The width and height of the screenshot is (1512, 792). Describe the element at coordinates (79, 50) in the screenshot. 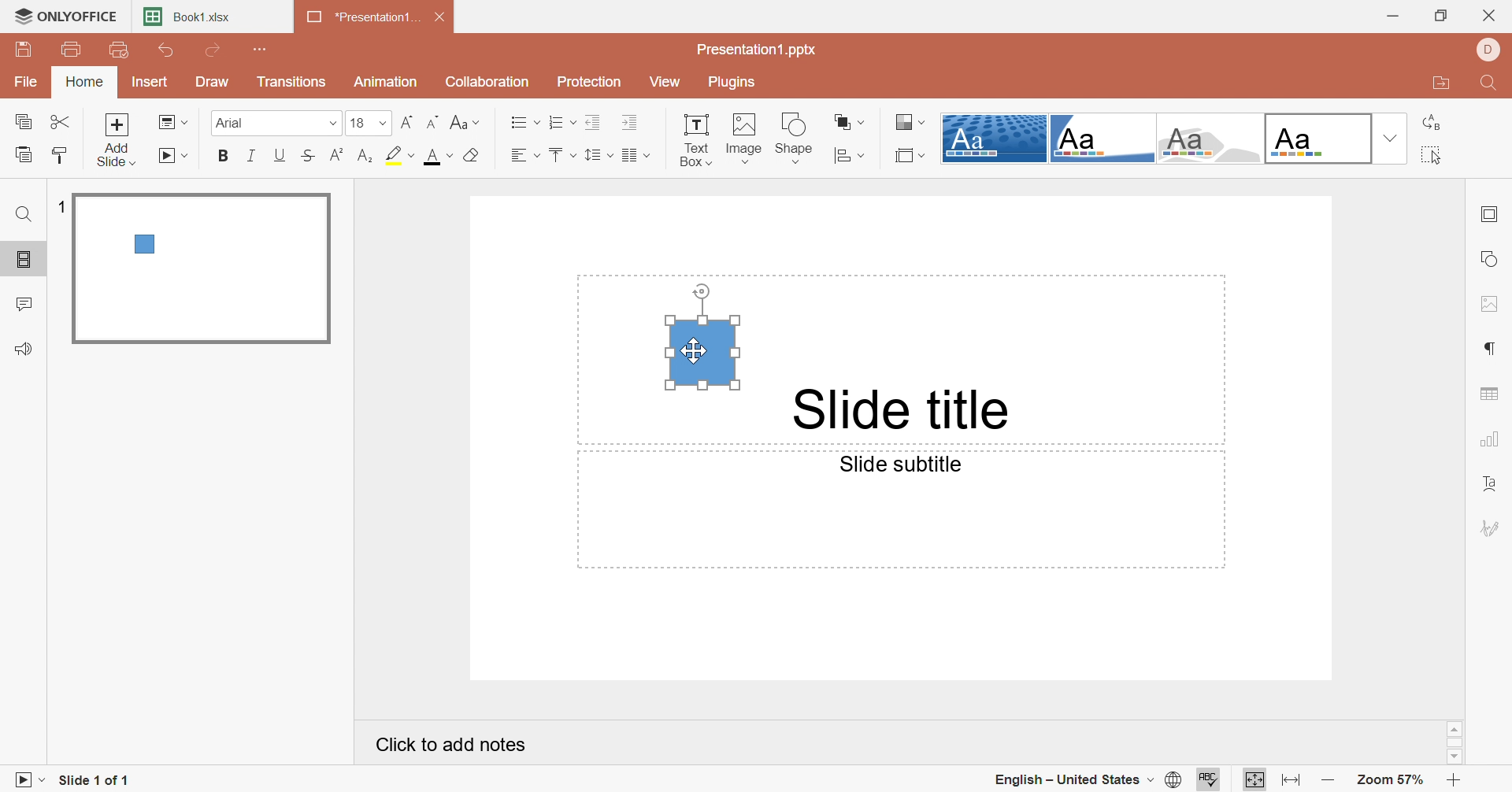

I see `Print` at that location.